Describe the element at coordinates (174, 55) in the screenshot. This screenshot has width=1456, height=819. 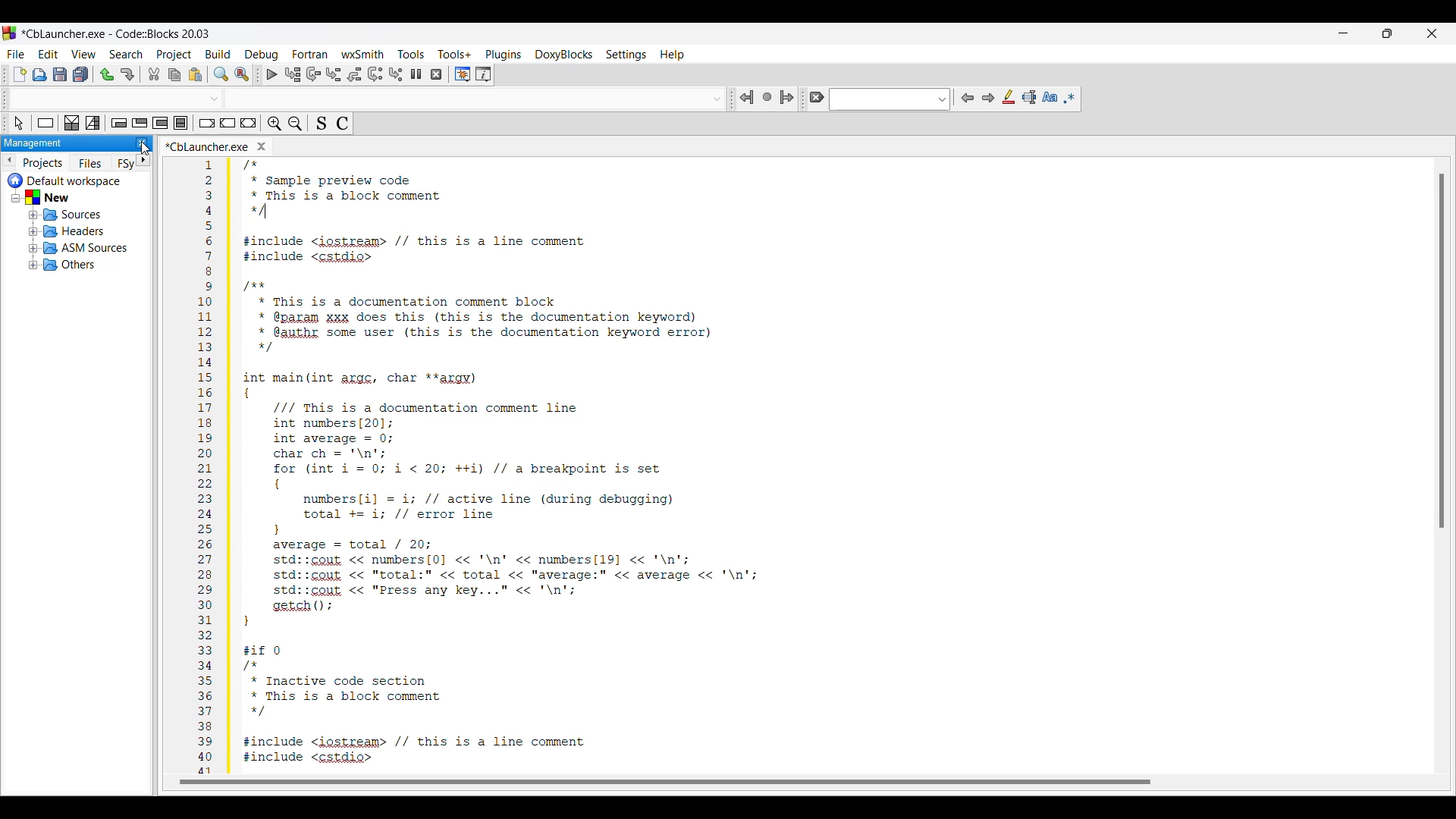
I see `Project menu` at that location.